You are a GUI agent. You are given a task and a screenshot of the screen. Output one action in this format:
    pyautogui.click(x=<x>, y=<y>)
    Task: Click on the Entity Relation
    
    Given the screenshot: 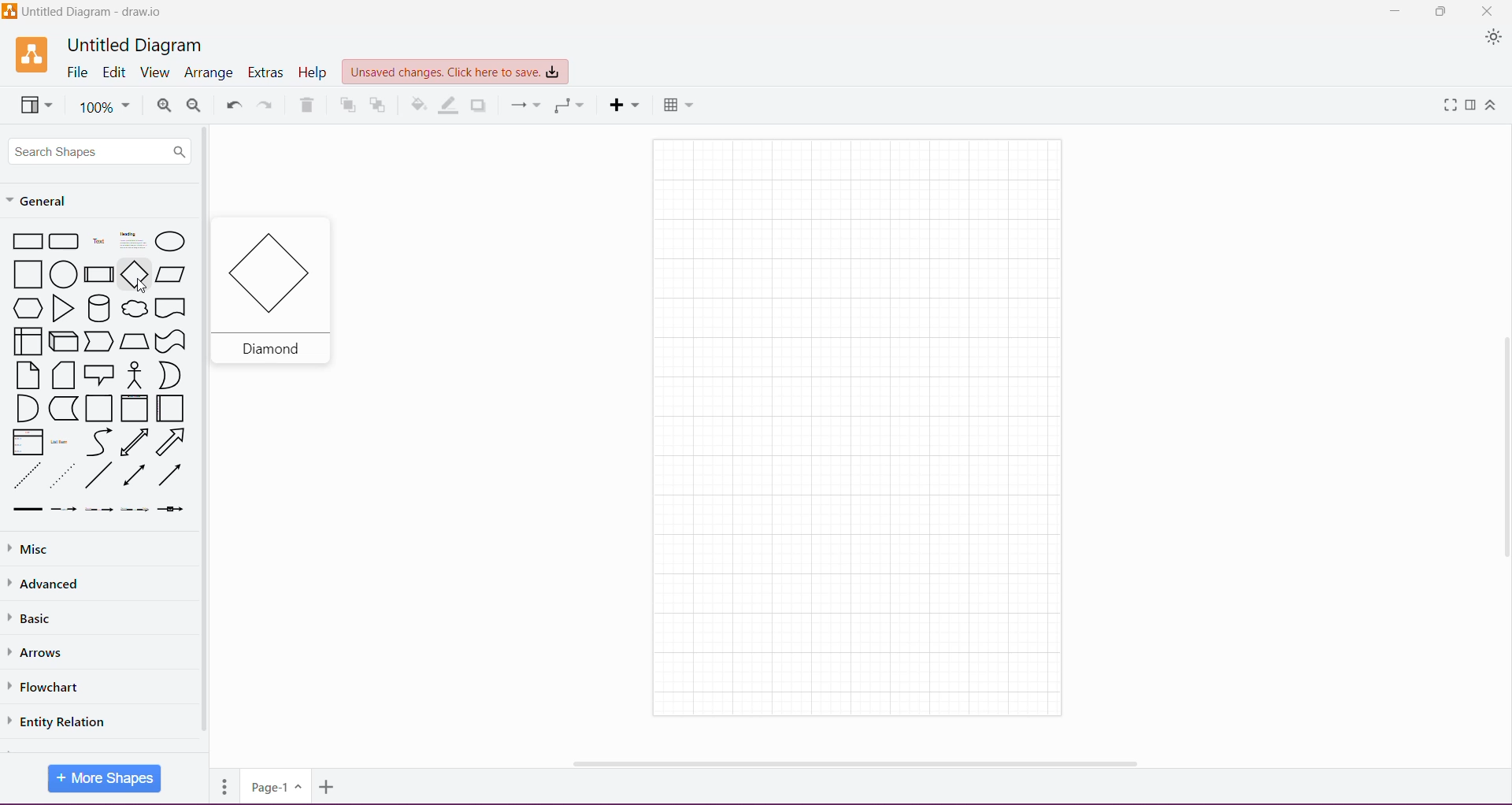 What is the action you would take?
    pyautogui.click(x=66, y=722)
    